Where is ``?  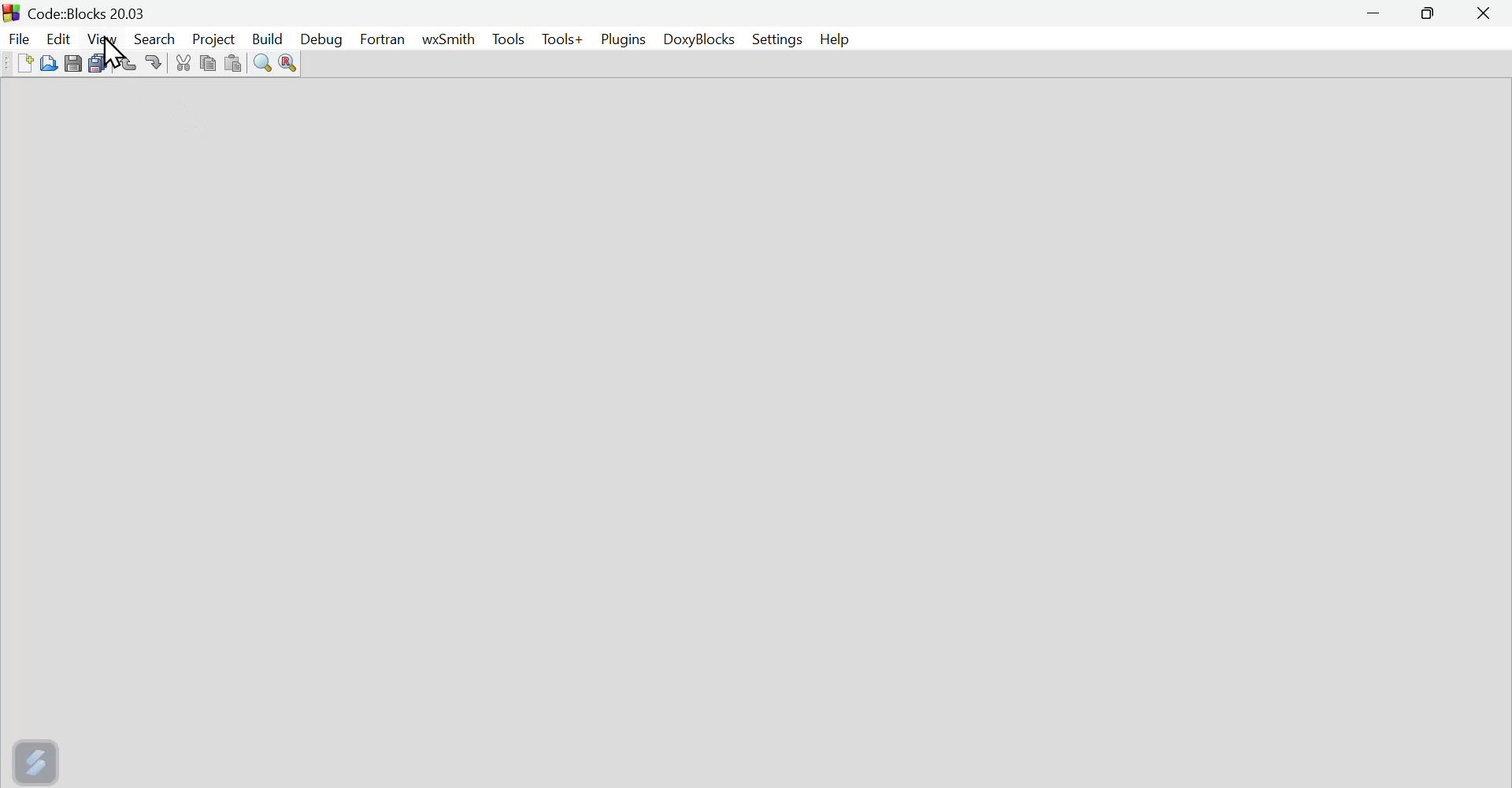  is located at coordinates (236, 62).